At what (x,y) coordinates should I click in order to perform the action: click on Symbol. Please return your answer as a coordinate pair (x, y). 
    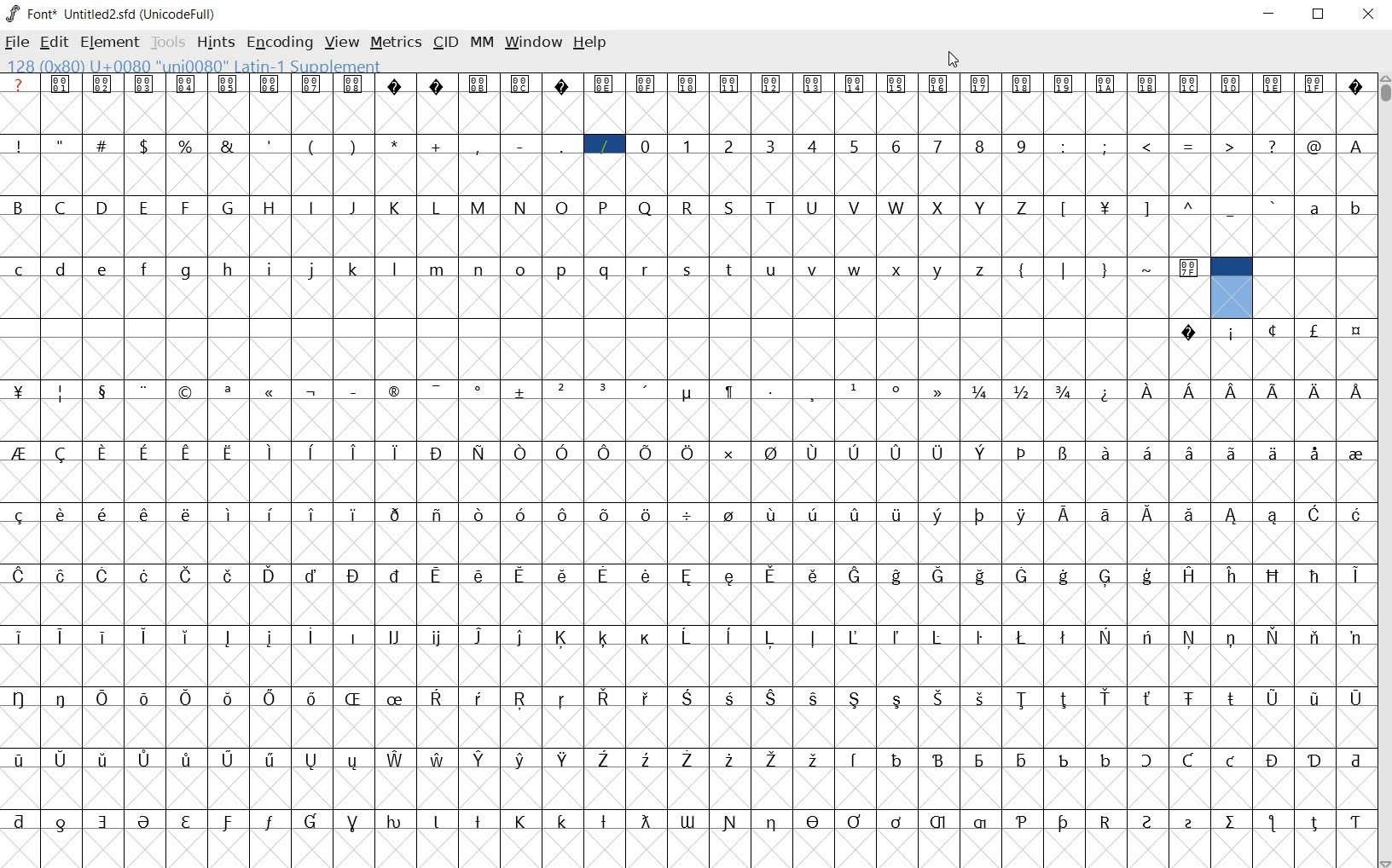
    Looking at the image, I should click on (481, 697).